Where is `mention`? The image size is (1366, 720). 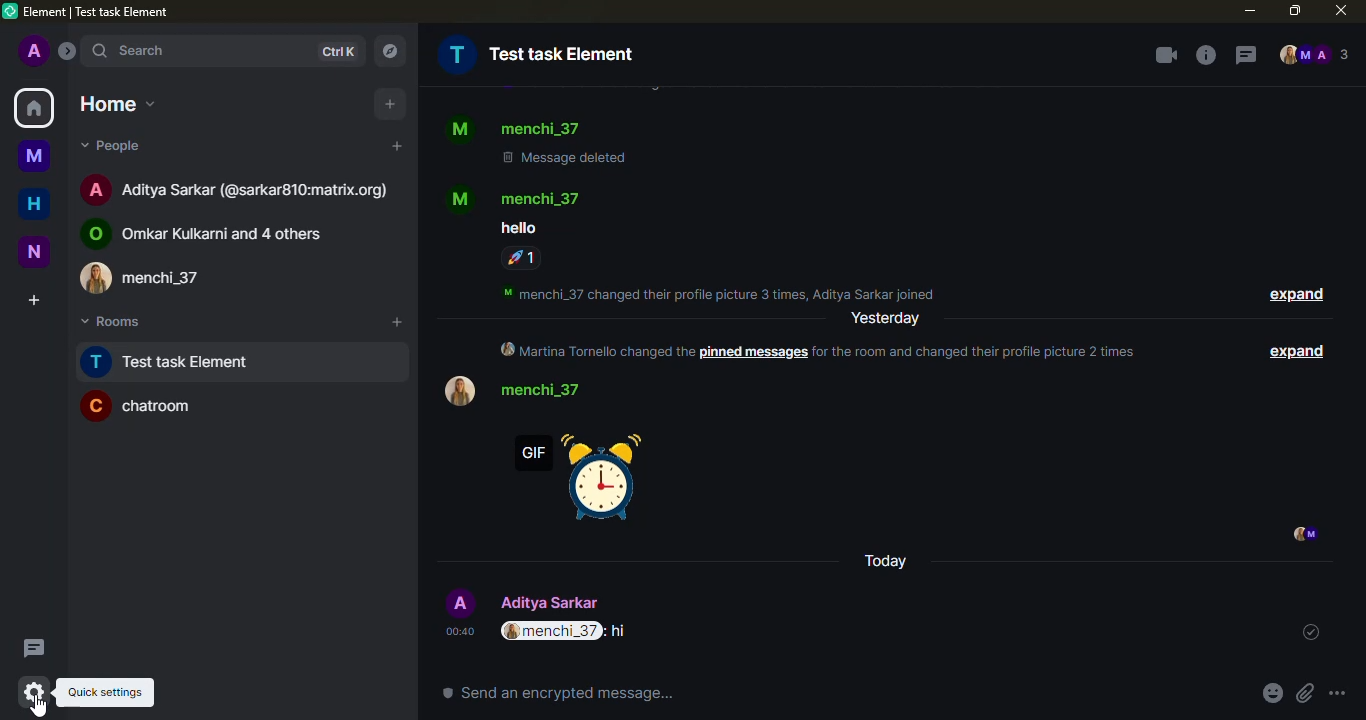
mention is located at coordinates (551, 631).